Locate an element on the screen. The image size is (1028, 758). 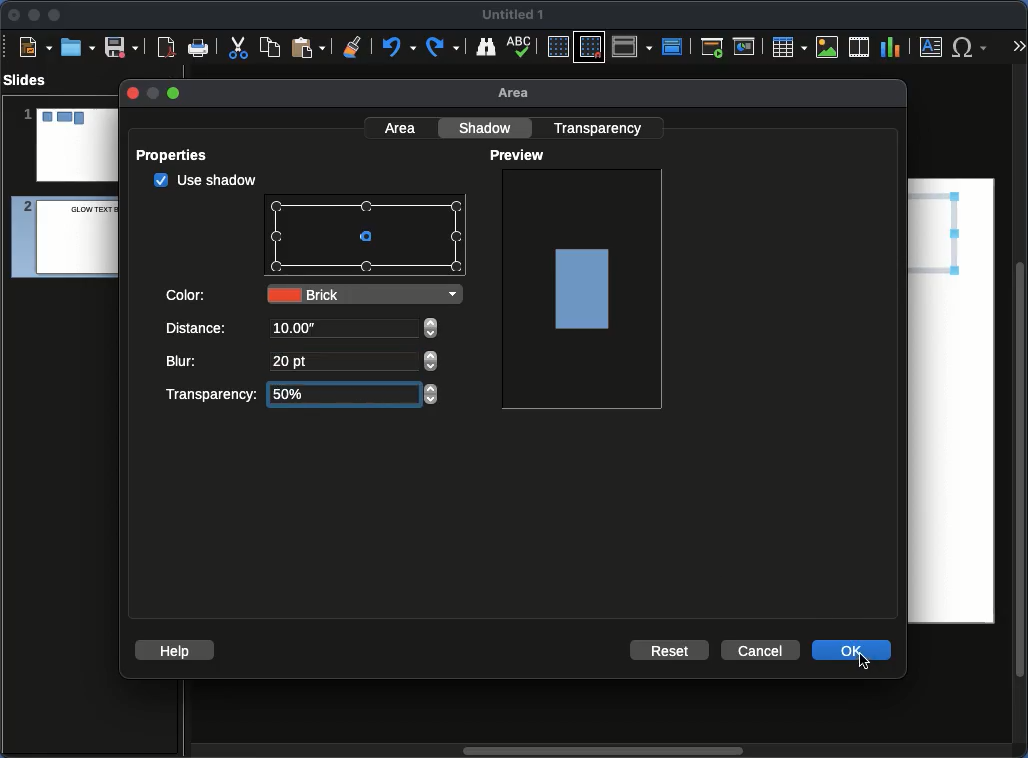
Help is located at coordinates (175, 649).